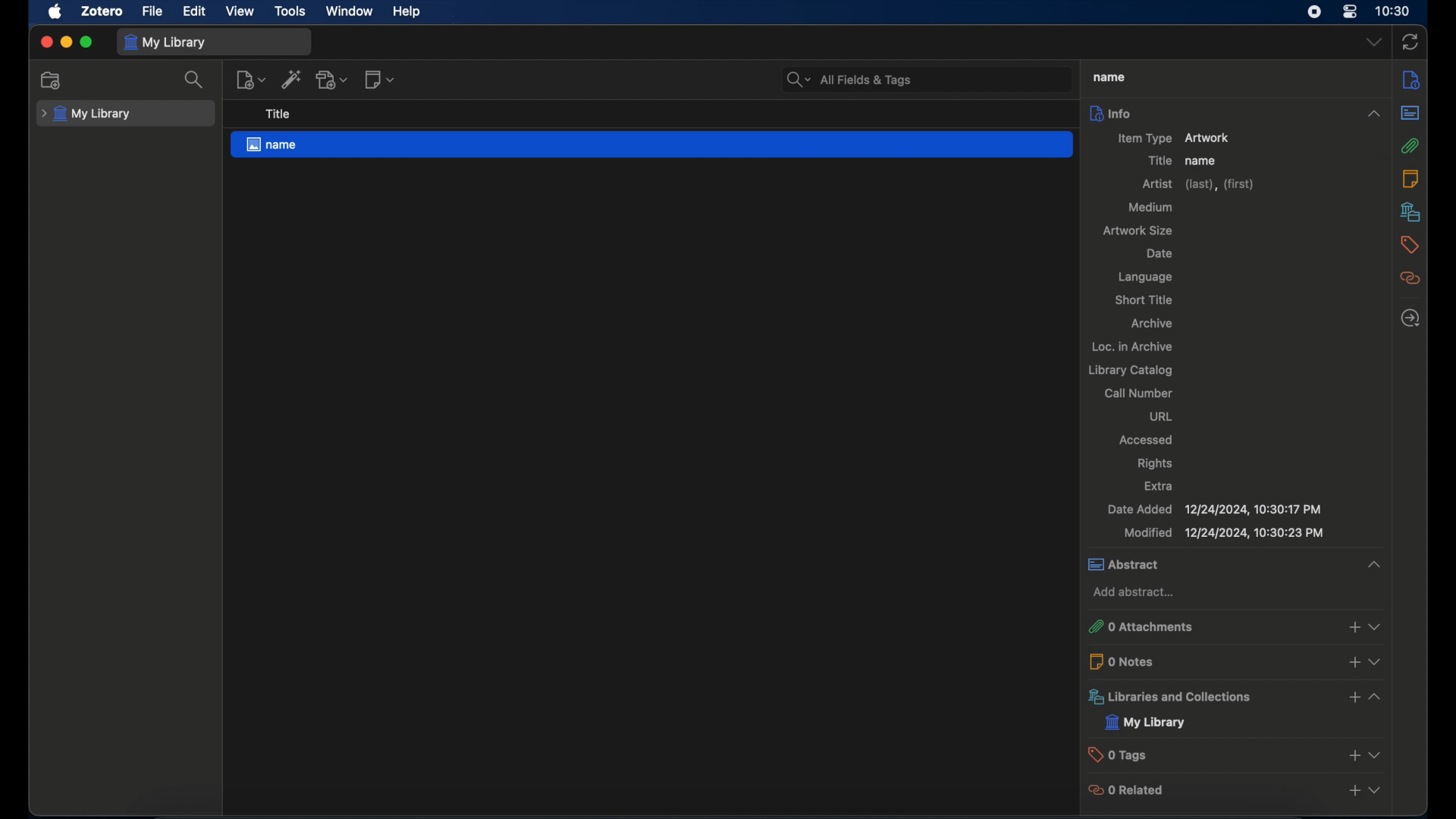 This screenshot has width=1456, height=819. I want to click on my library, so click(86, 115).